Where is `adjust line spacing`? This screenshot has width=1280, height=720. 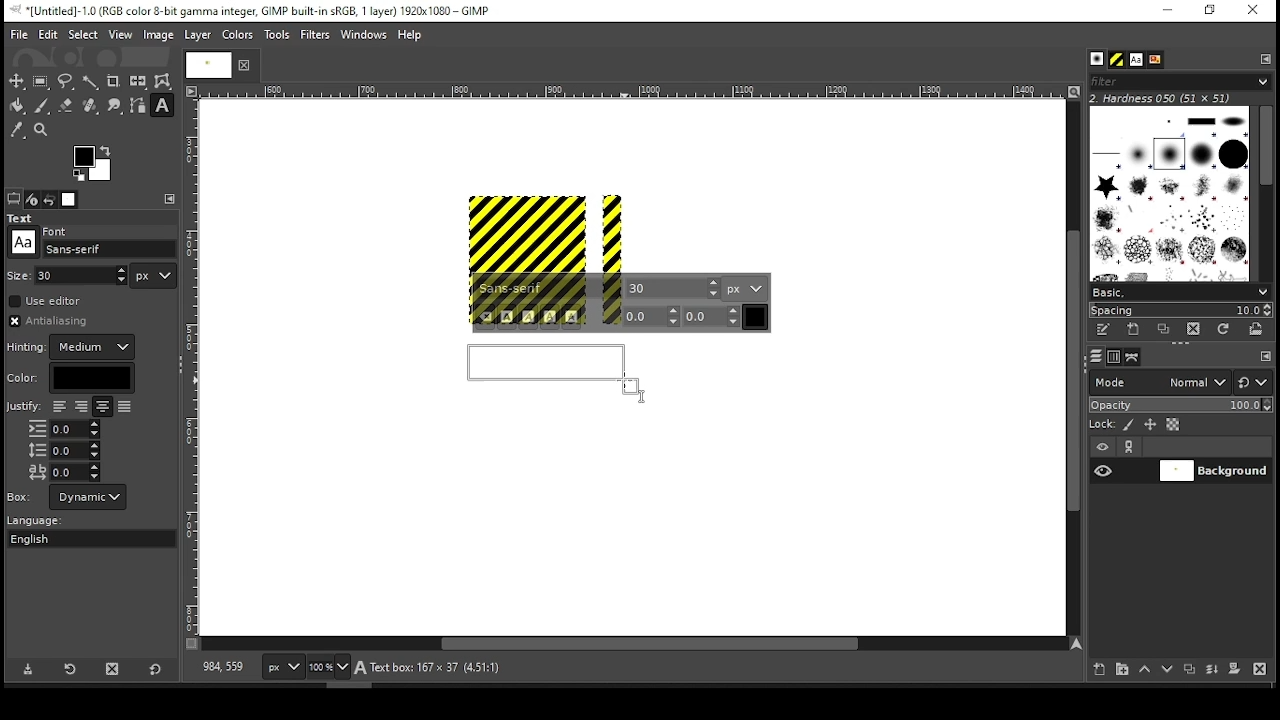
adjust line spacing is located at coordinates (64, 450).